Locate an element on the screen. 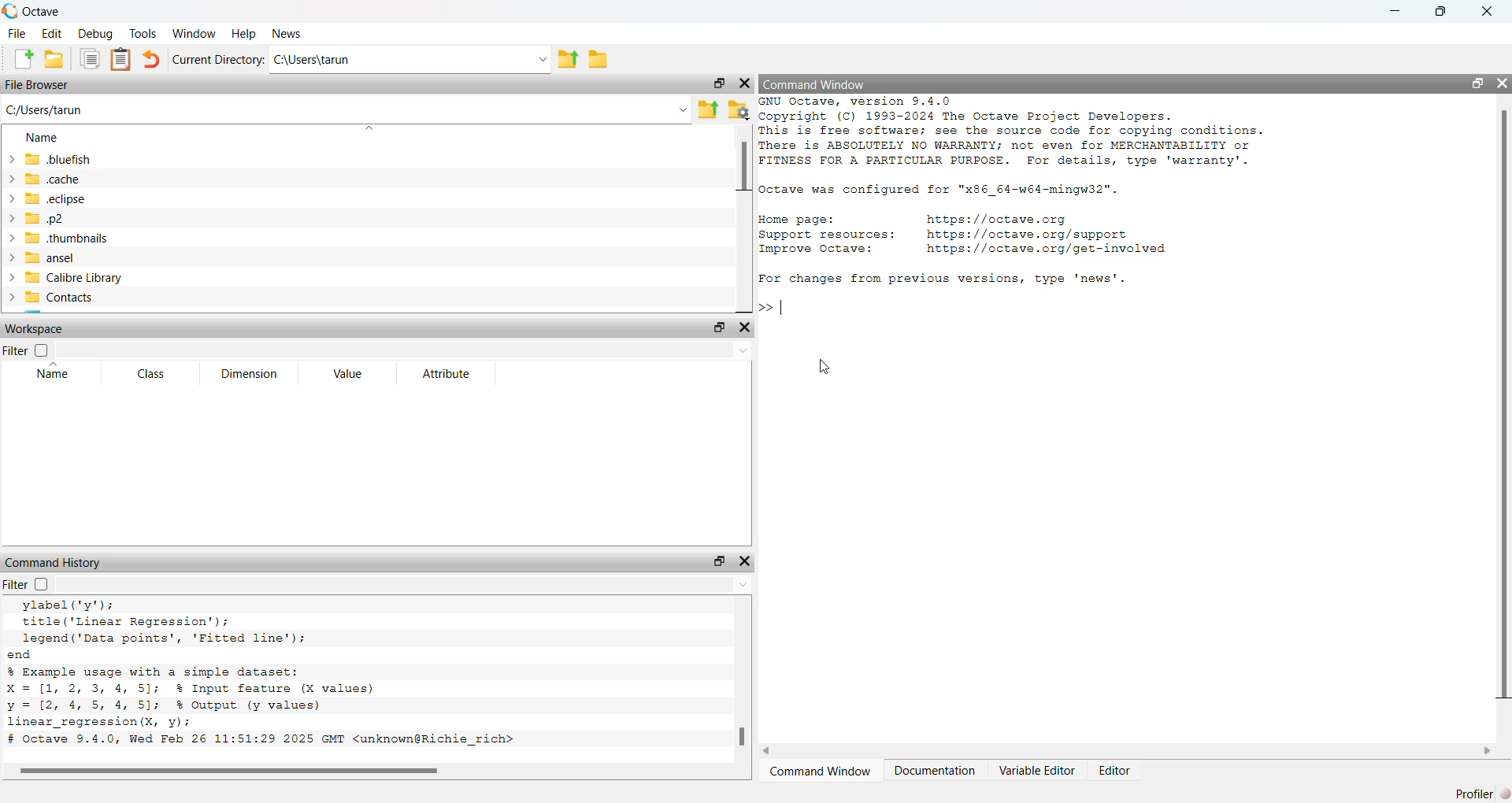 This screenshot has height=803, width=1512. close is located at coordinates (1495, 9).